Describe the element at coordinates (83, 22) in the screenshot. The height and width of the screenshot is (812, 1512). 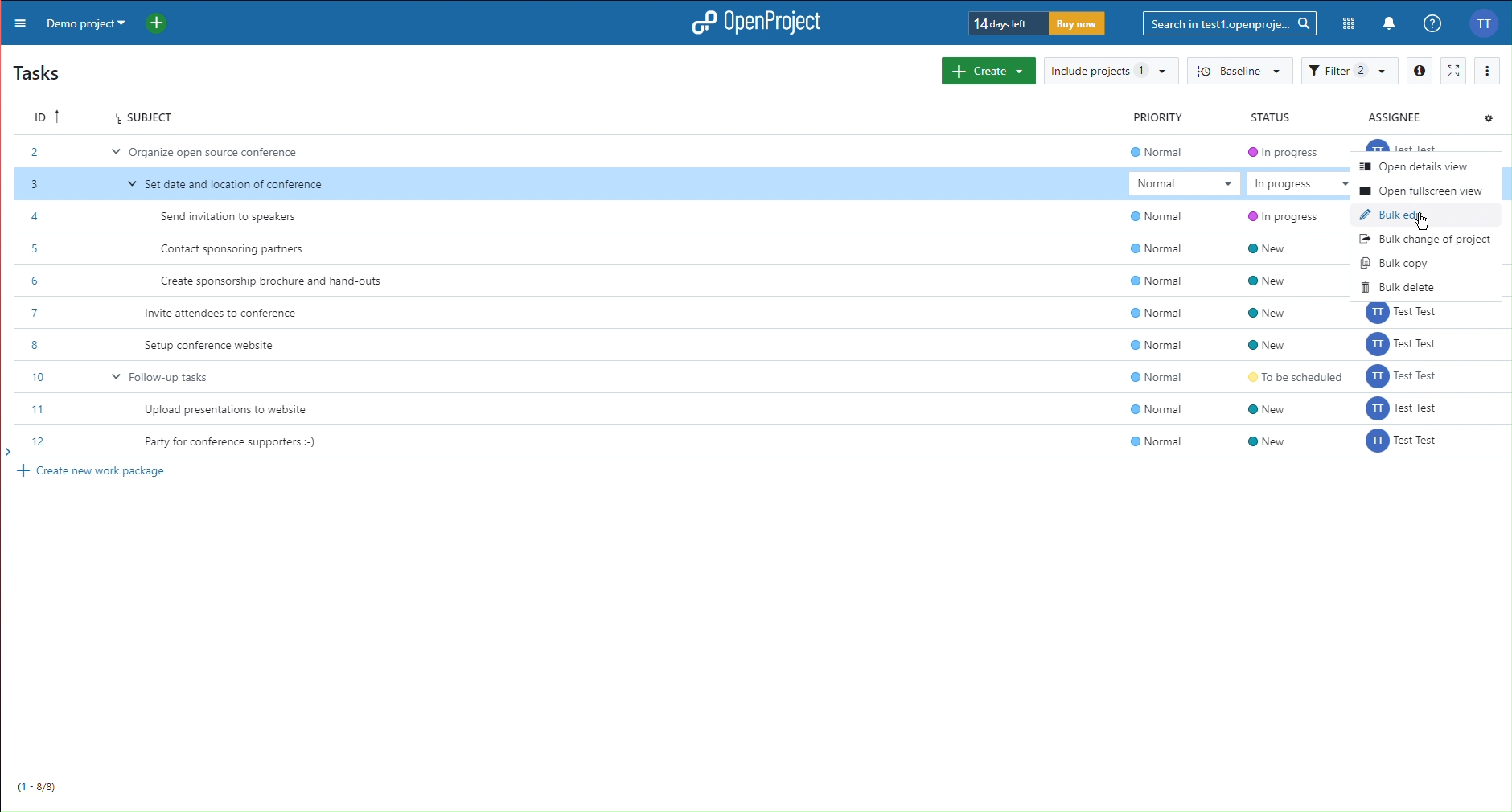
I see `Demo project` at that location.